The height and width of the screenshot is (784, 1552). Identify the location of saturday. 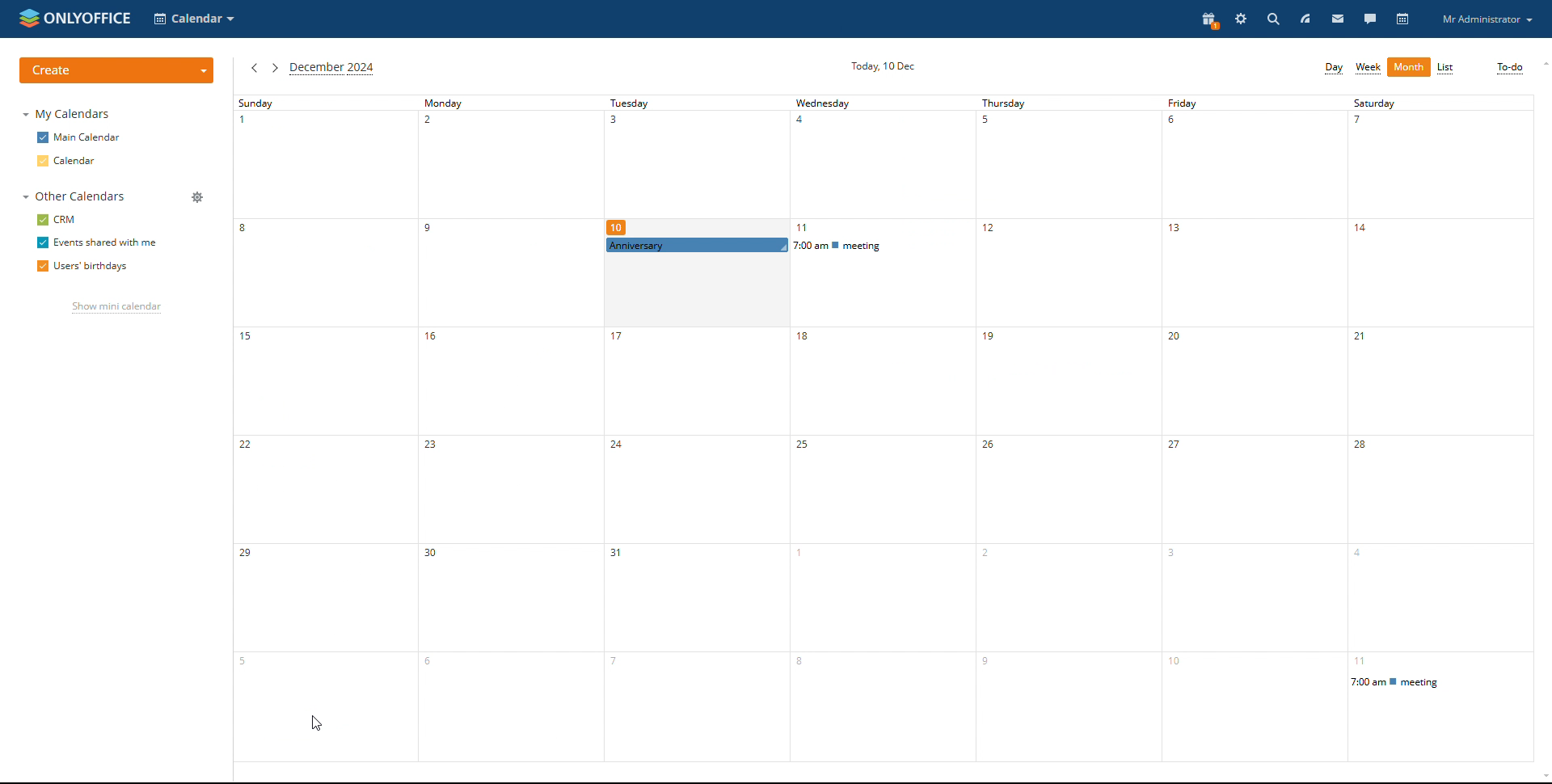
(1444, 428).